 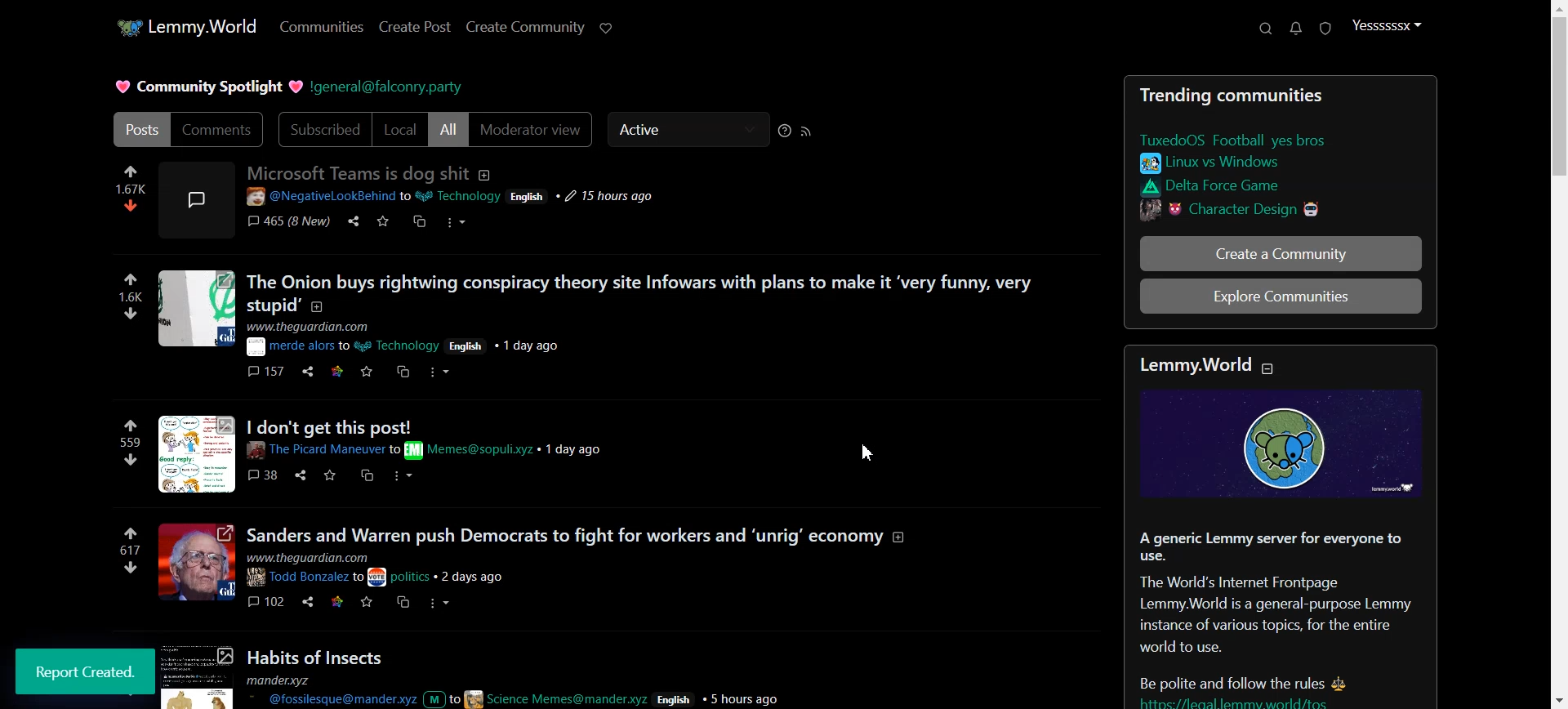 I want to click on link, so click(x=1253, y=140).